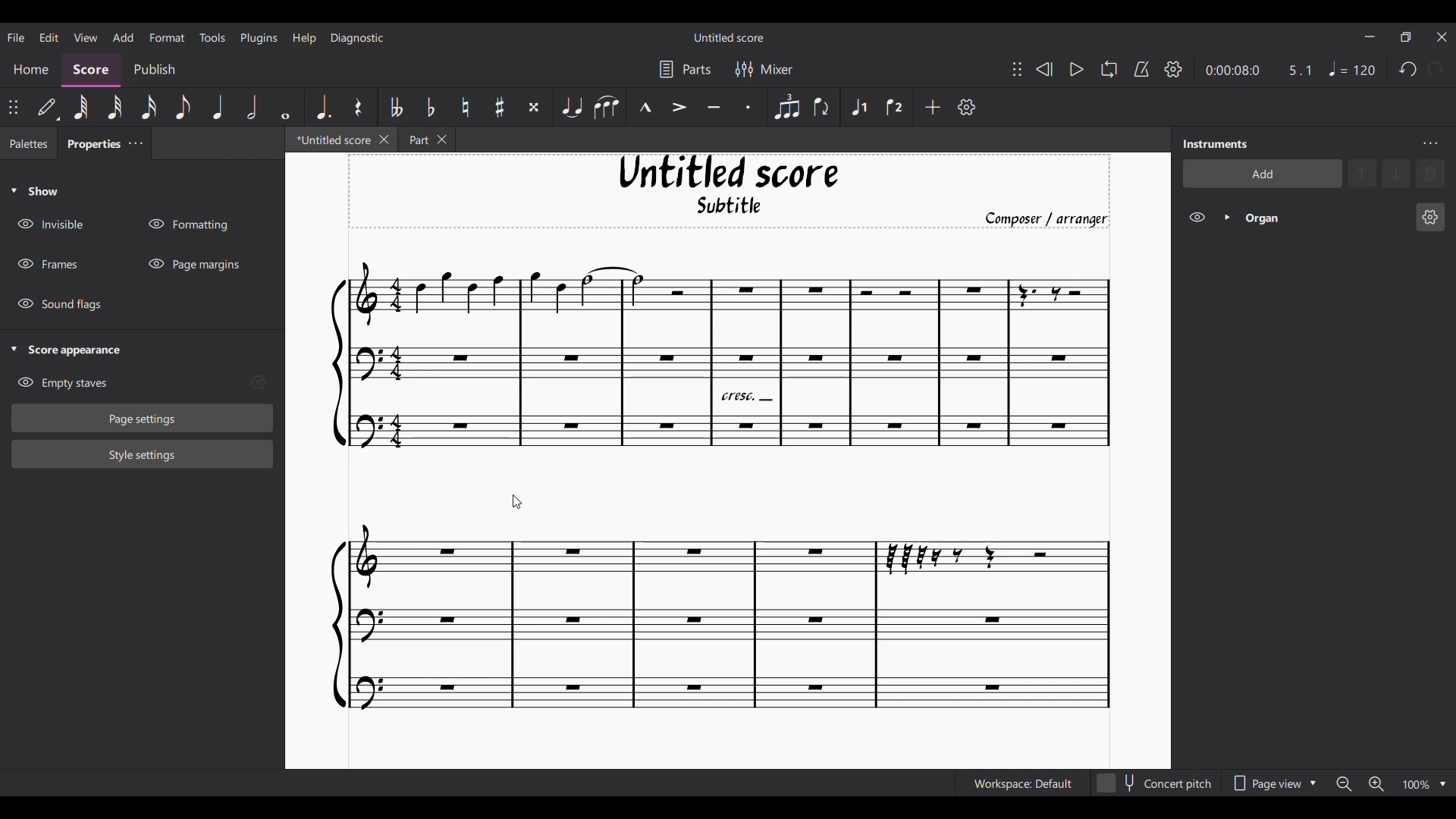 The image size is (1456, 819). Describe the element at coordinates (500, 108) in the screenshot. I see `Toggle sharp` at that location.